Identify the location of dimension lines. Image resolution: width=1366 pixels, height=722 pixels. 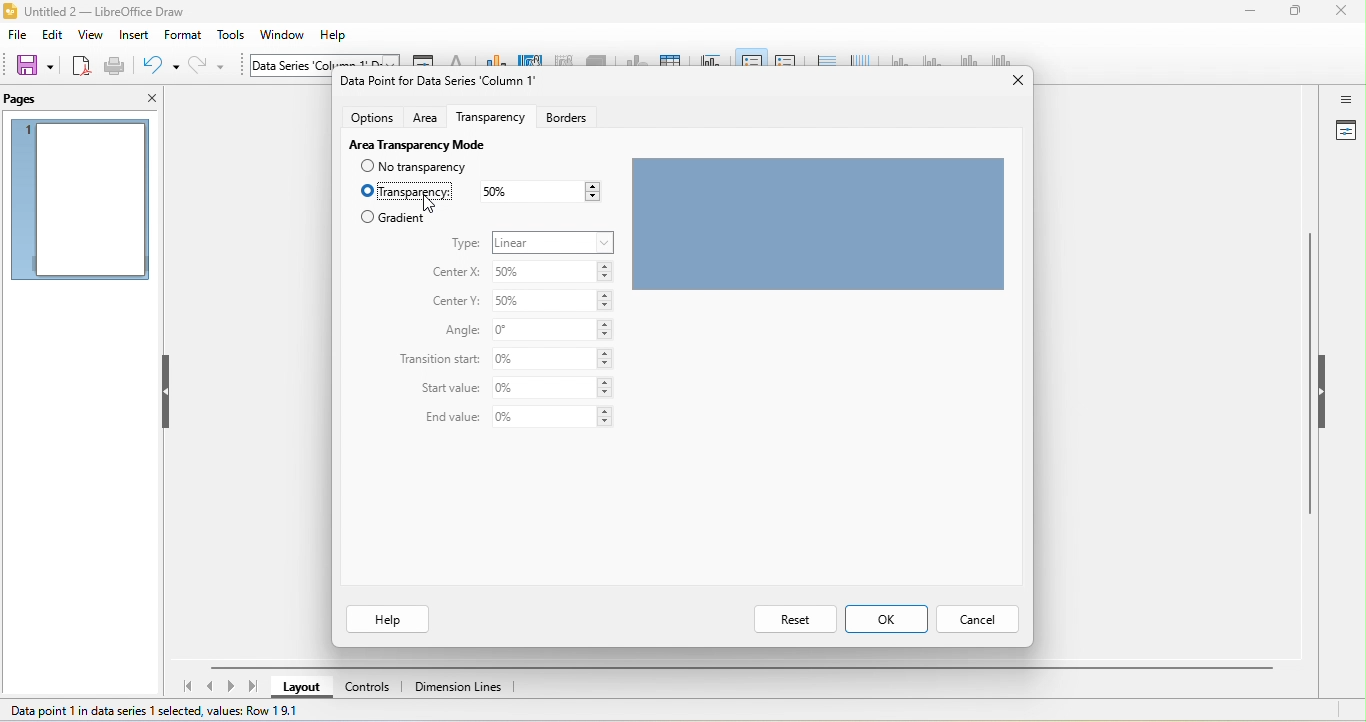
(462, 687).